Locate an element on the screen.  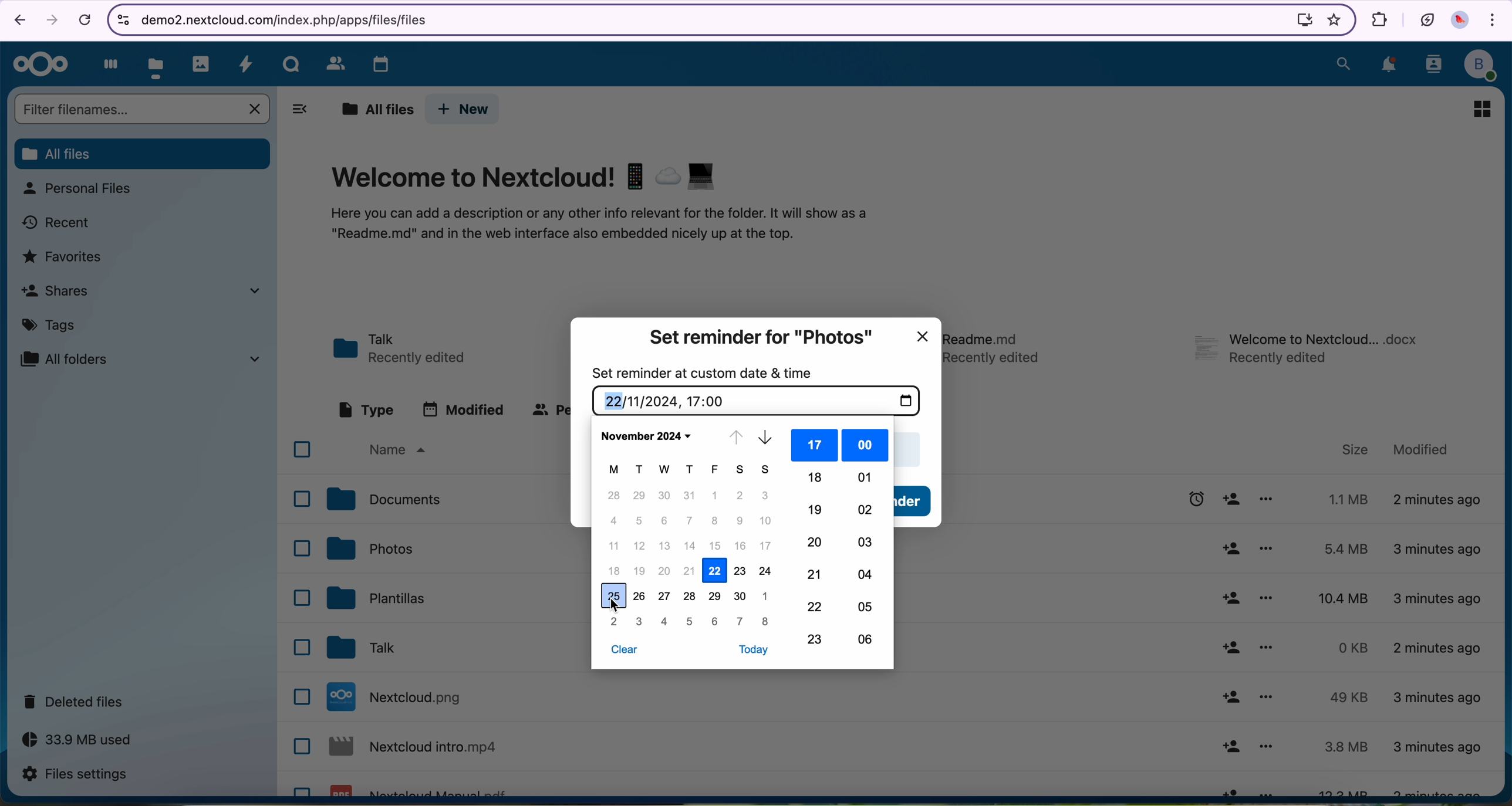
new button is located at coordinates (465, 109).